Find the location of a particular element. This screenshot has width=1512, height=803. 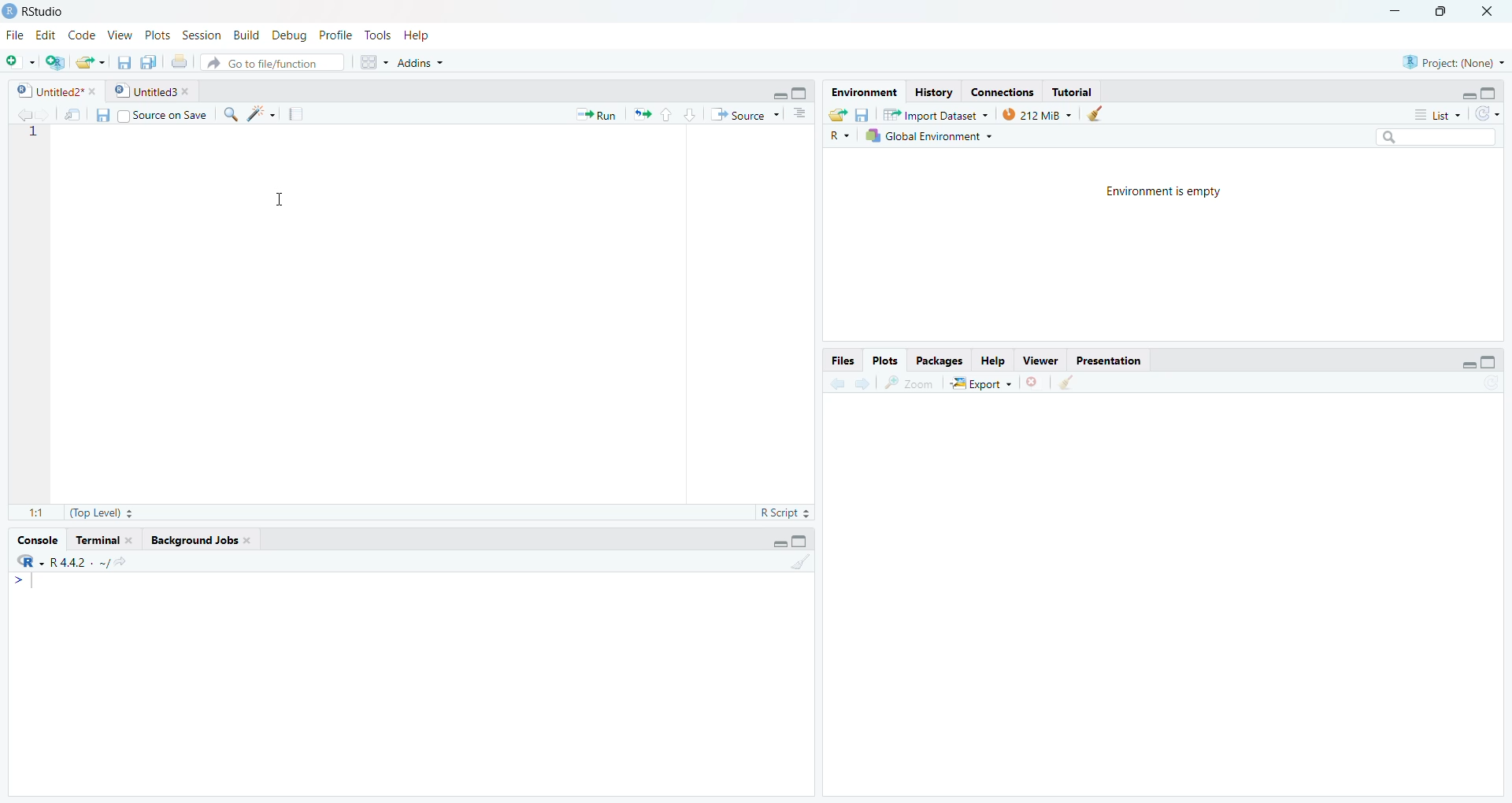

close is located at coordinates (1037, 381).